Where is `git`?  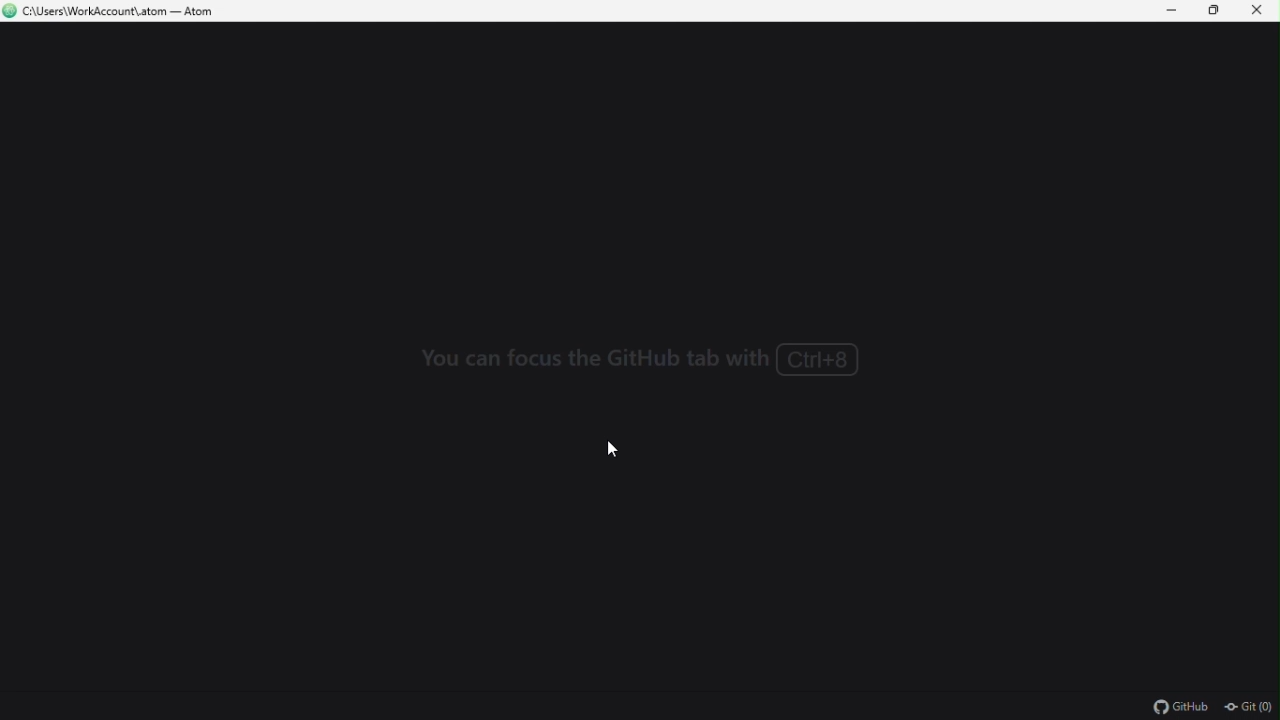 git is located at coordinates (1250, 707).